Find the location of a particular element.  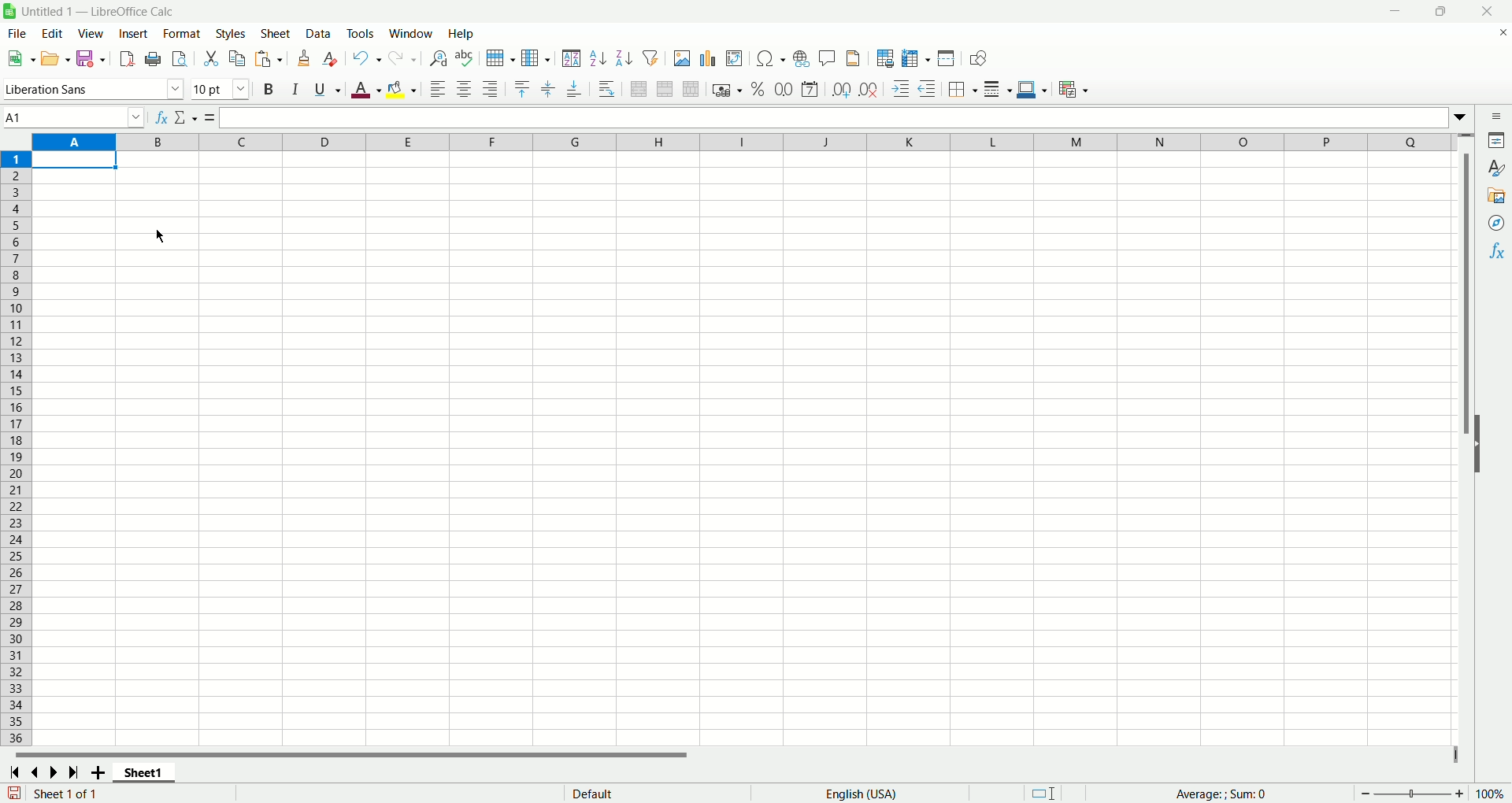

edit is located at coordinates (51, 31).